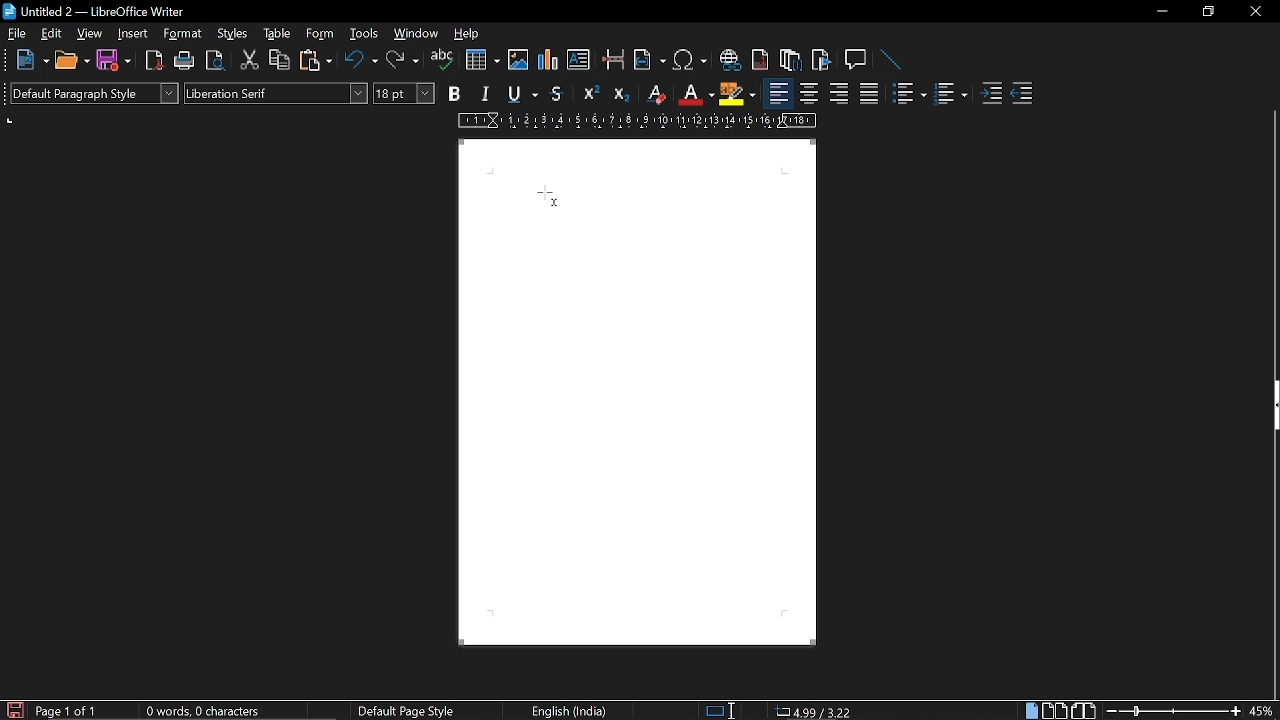 The width and height of the screenshot is (1280, 720). I want to click on page 1 of 1, so click(71, 711).